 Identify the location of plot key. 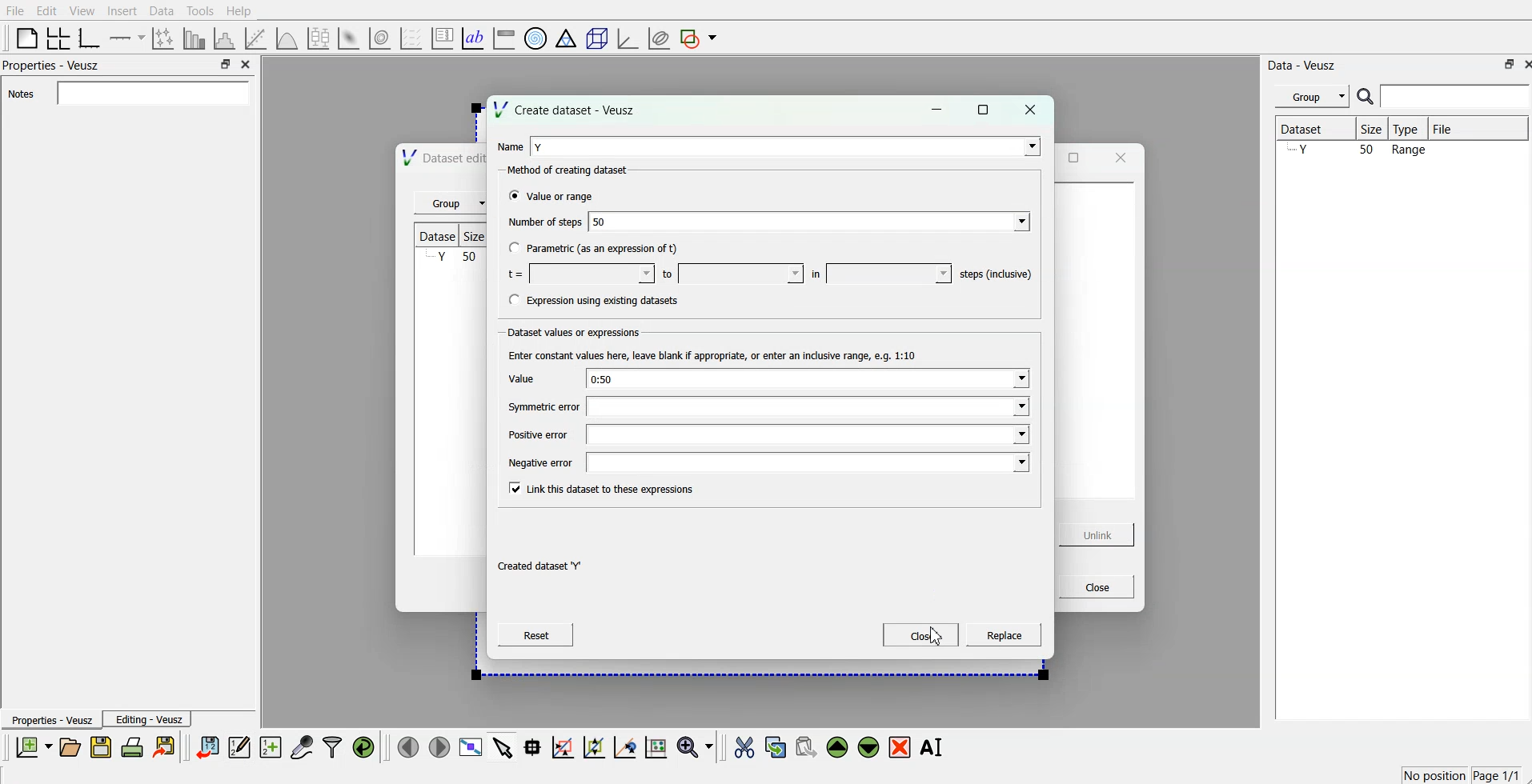
(442, 37).